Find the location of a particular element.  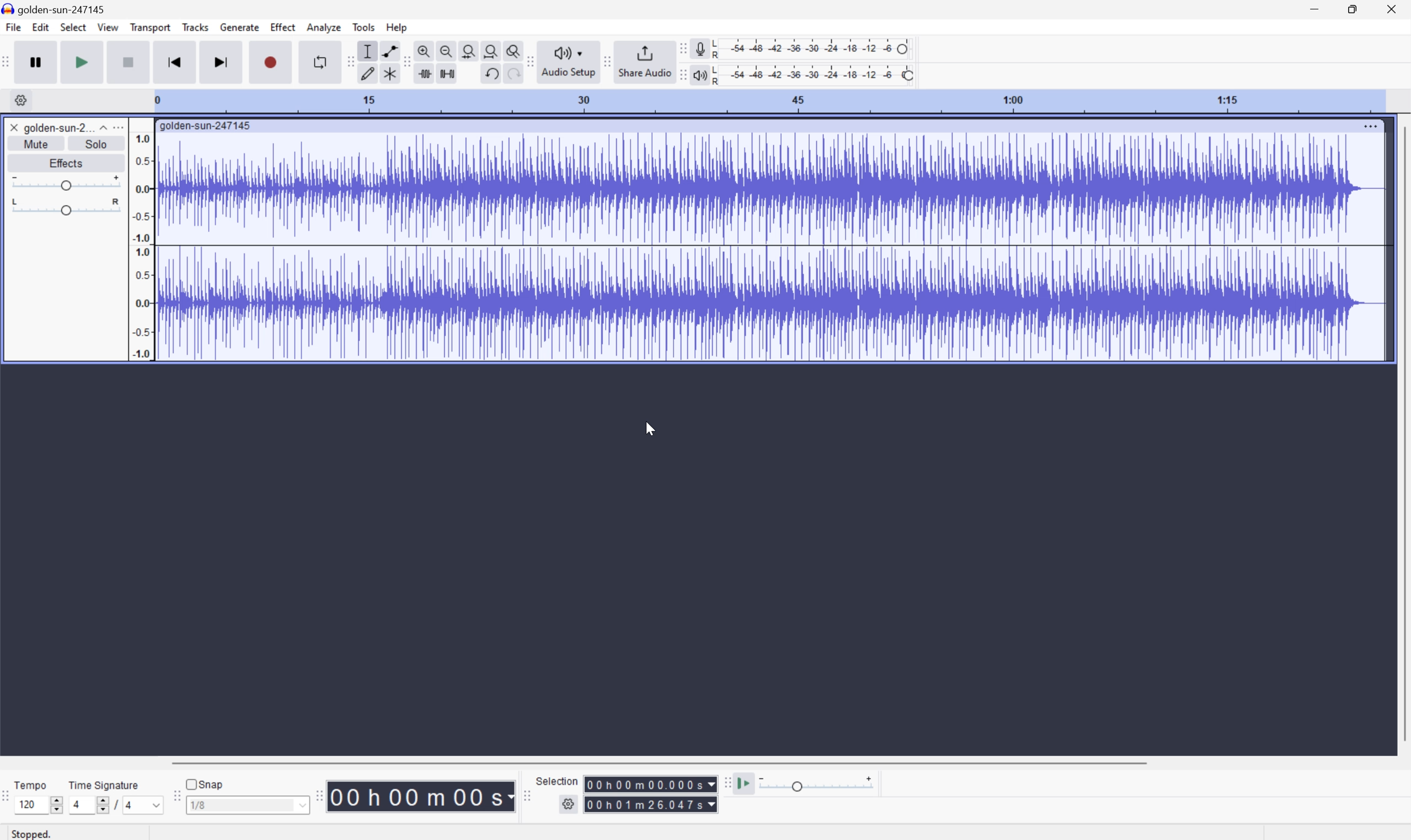

Trim audio outside selection is located at coordinates (427, 74).